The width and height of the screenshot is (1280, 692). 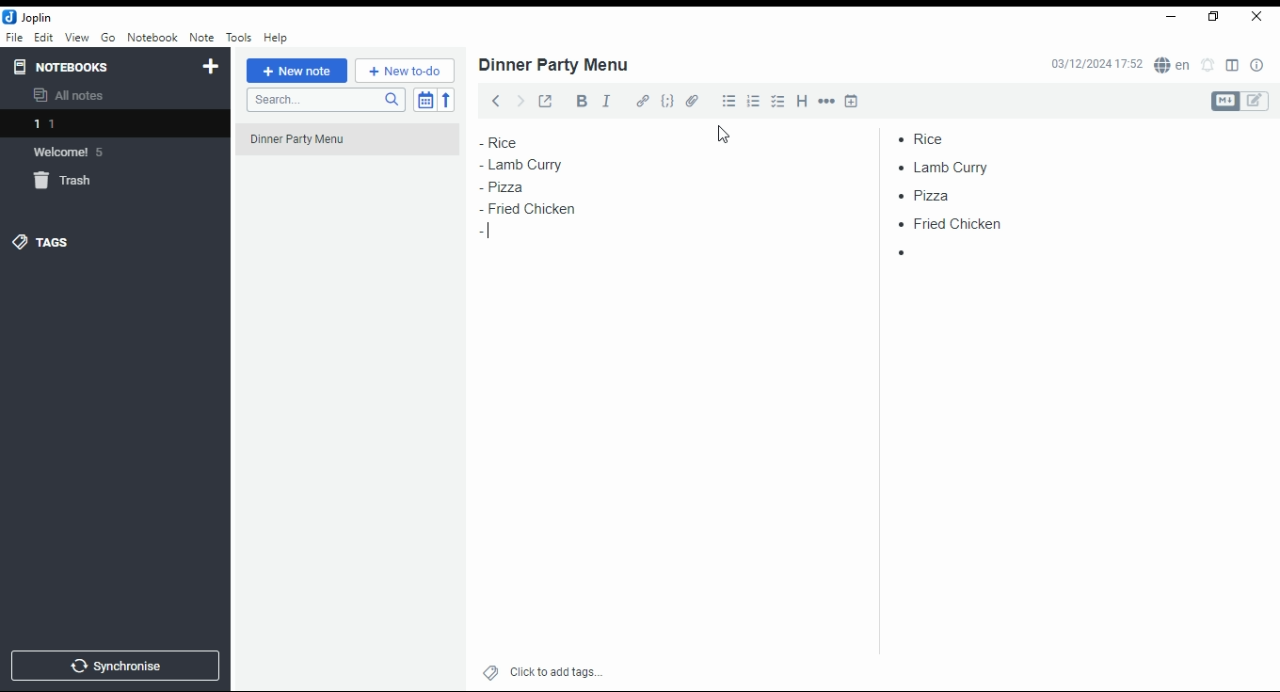 I want to click on minimize, so click(x=1172, y=17).